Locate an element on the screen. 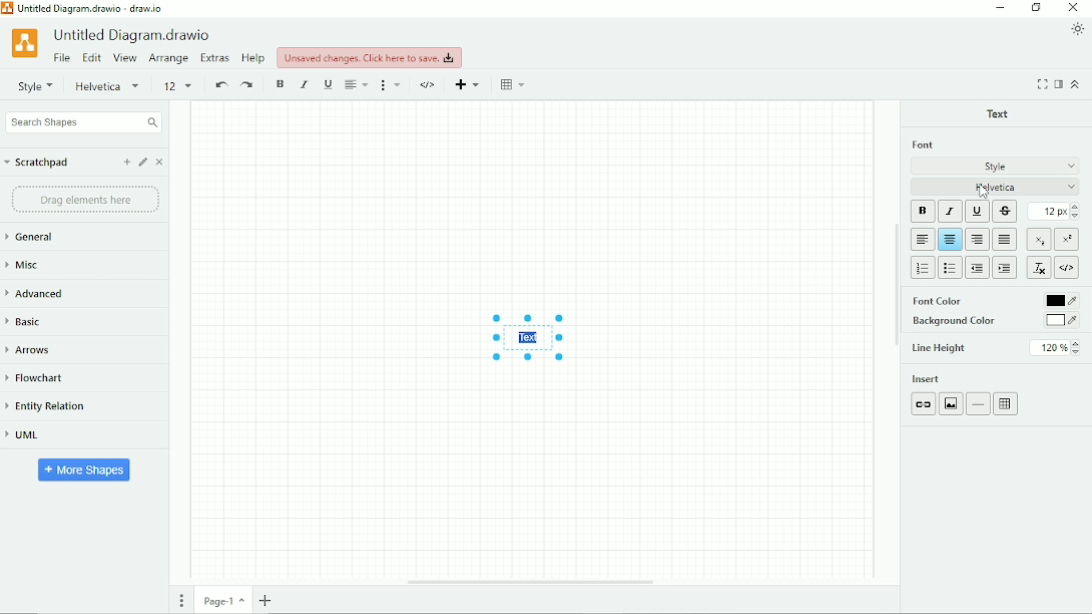 The width and height of the screenshot is (1092, 614). Insert is located at coordinates (466, 83).